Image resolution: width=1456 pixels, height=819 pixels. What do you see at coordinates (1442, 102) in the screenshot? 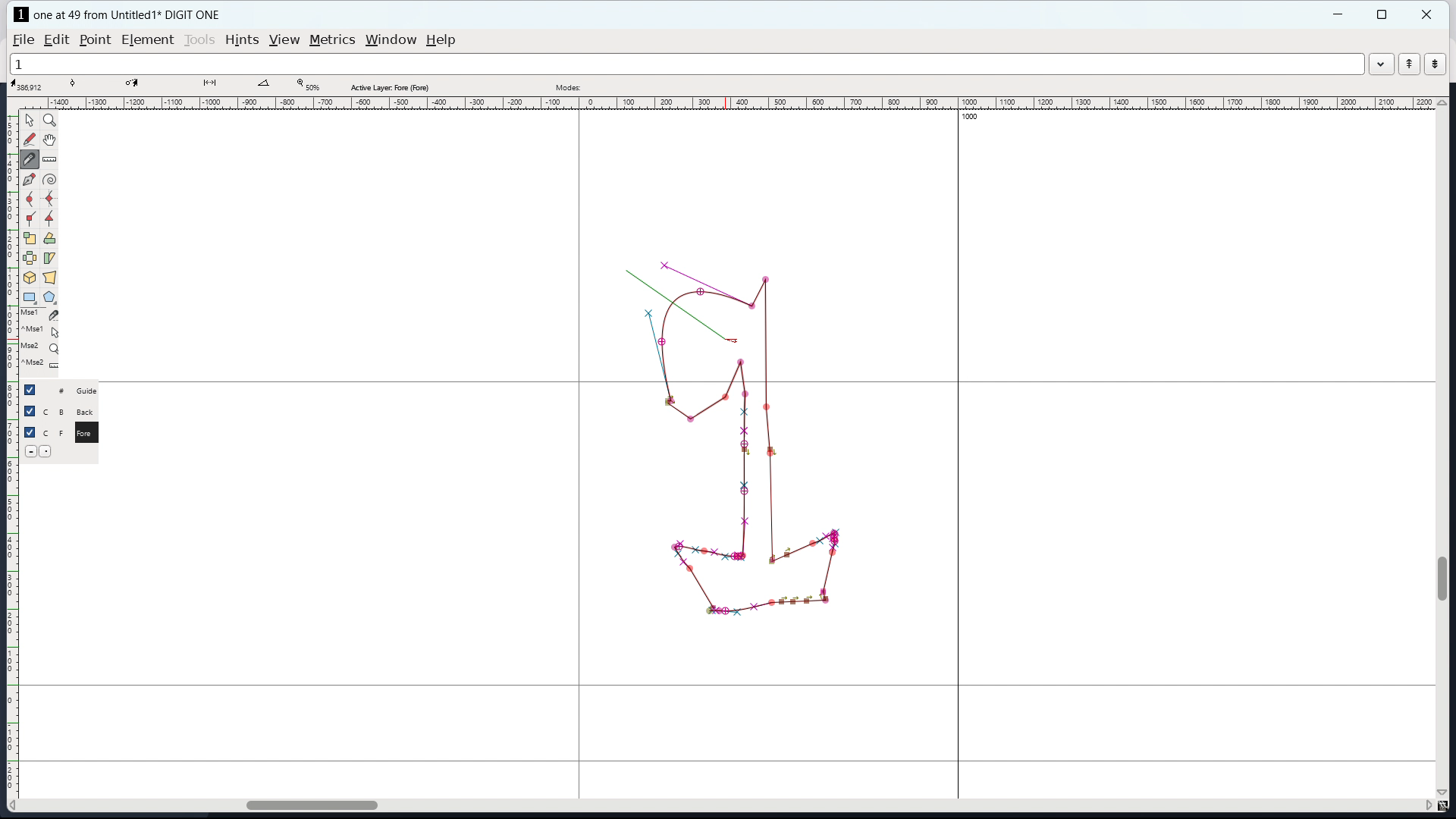
I see `scroll up` at bounding box center [1442, 102].